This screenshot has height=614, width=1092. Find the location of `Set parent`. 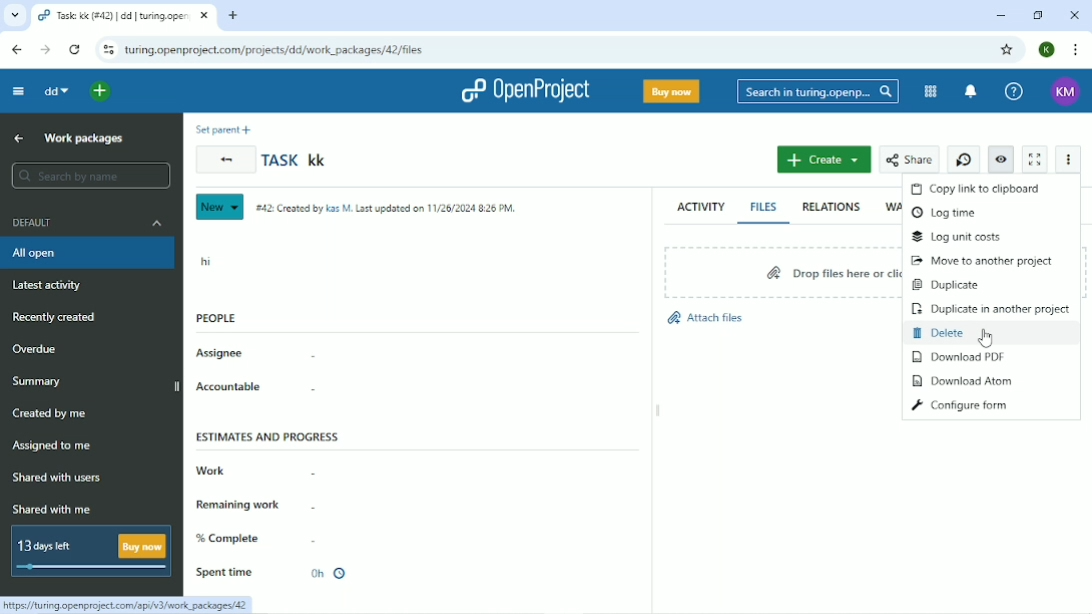

Set parent is located at coordinates (225, 128).